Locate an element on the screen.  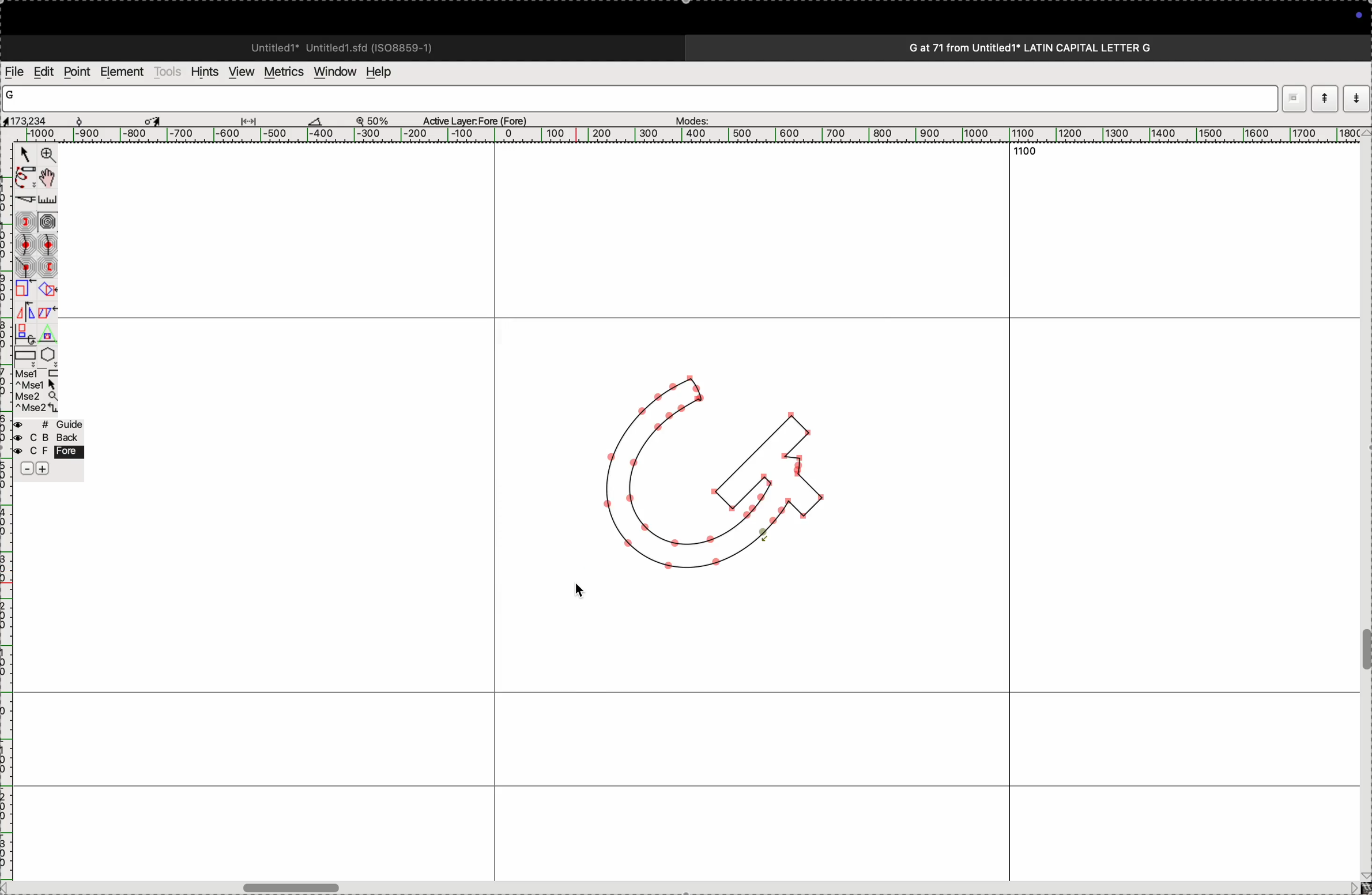
elements is located at coordinates (125, 72).